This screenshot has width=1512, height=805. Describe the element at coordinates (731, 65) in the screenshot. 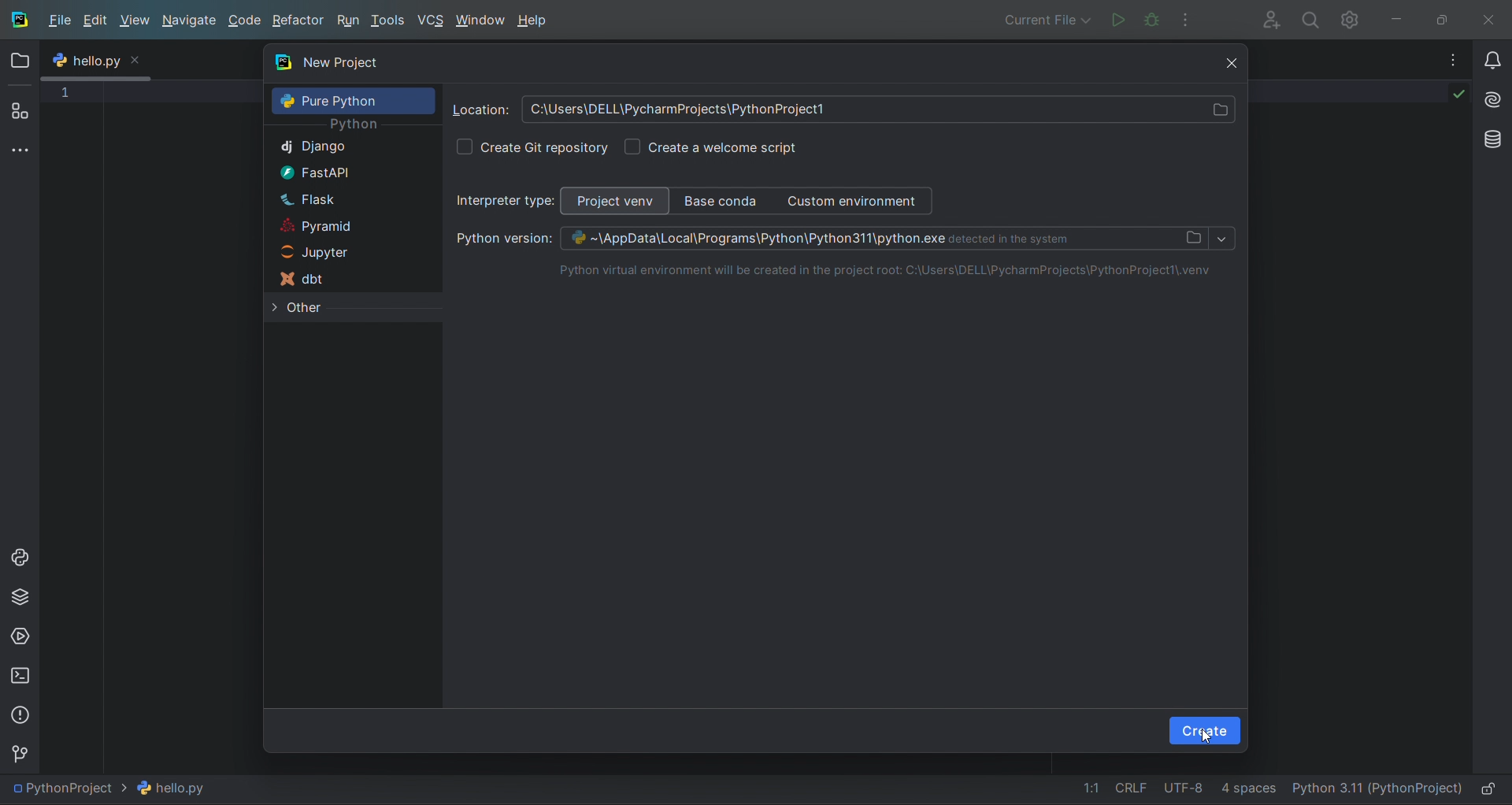

I see `New Project` at that location.